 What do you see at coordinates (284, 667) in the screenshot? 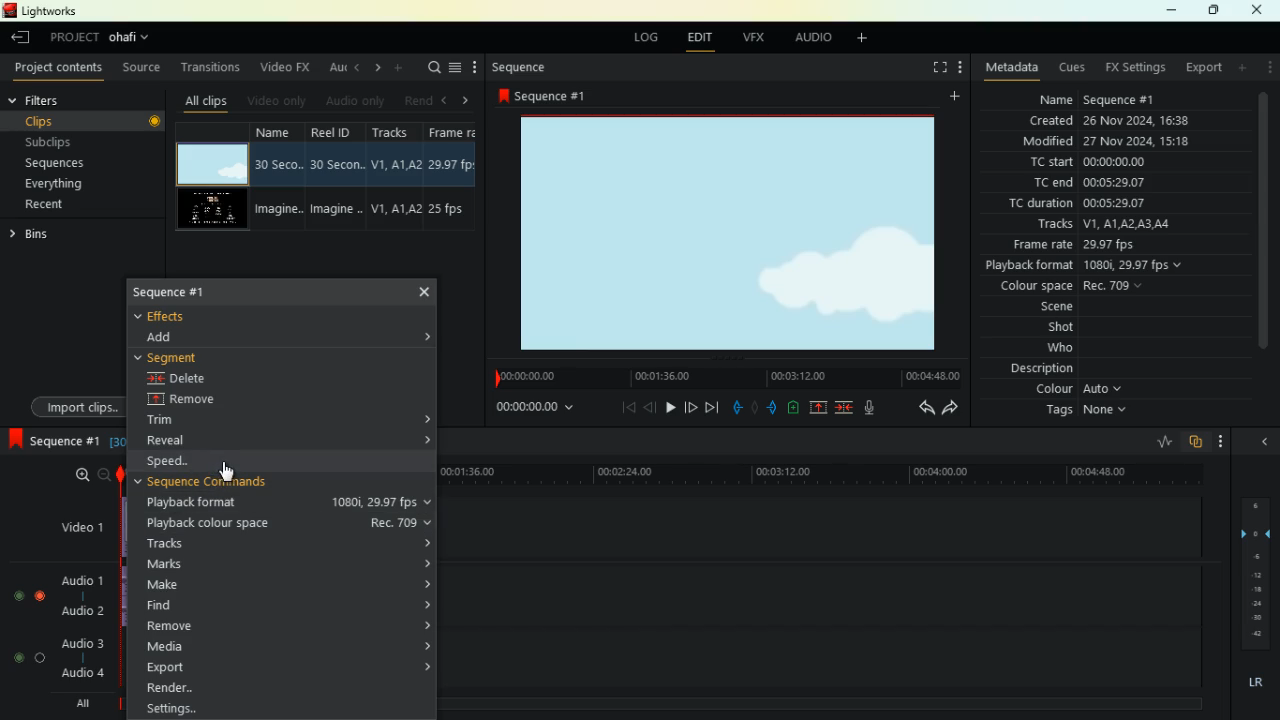
I see `export` at bounding box center [284, 667].